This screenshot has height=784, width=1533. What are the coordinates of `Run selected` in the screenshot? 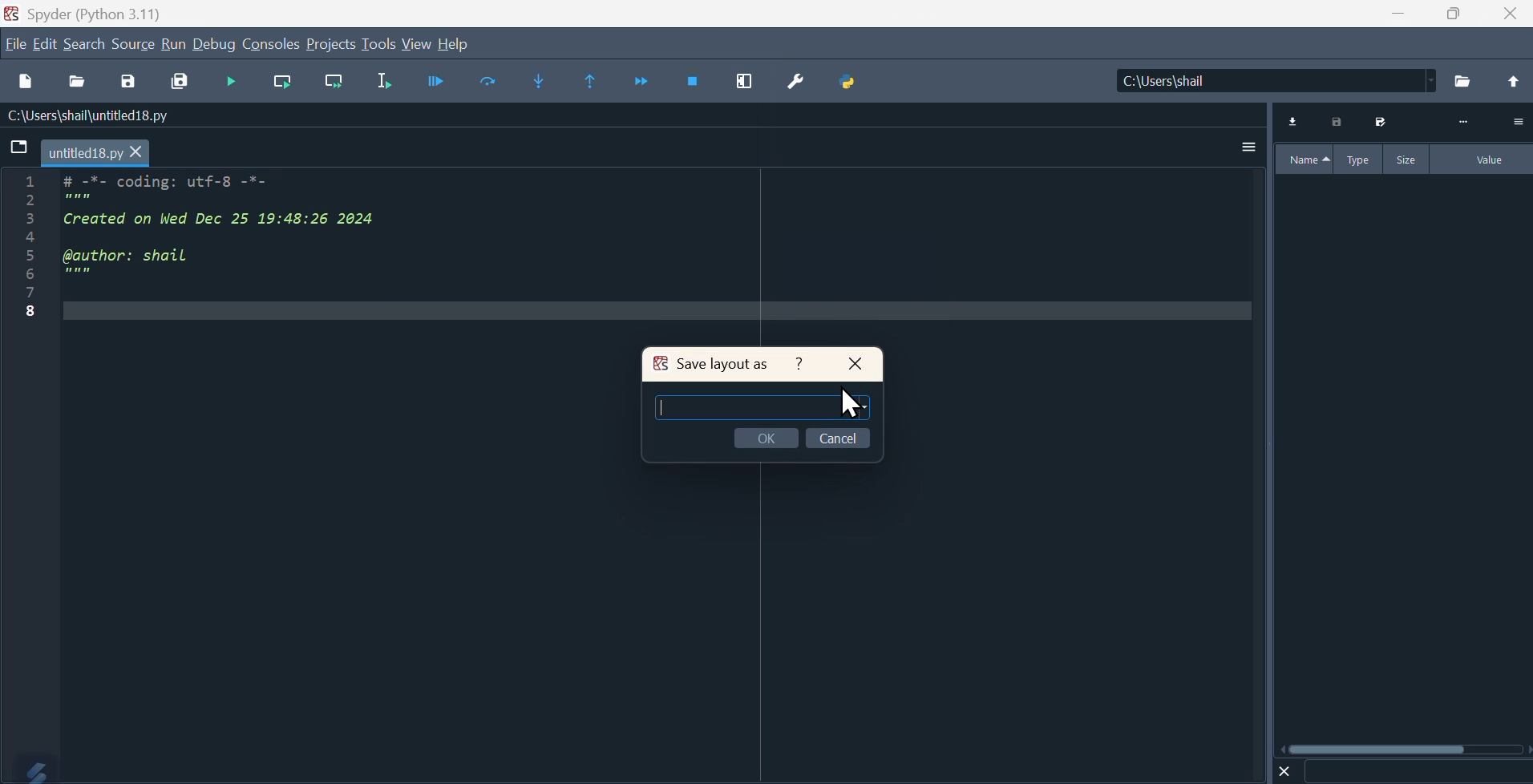 It's located at (384, 82).